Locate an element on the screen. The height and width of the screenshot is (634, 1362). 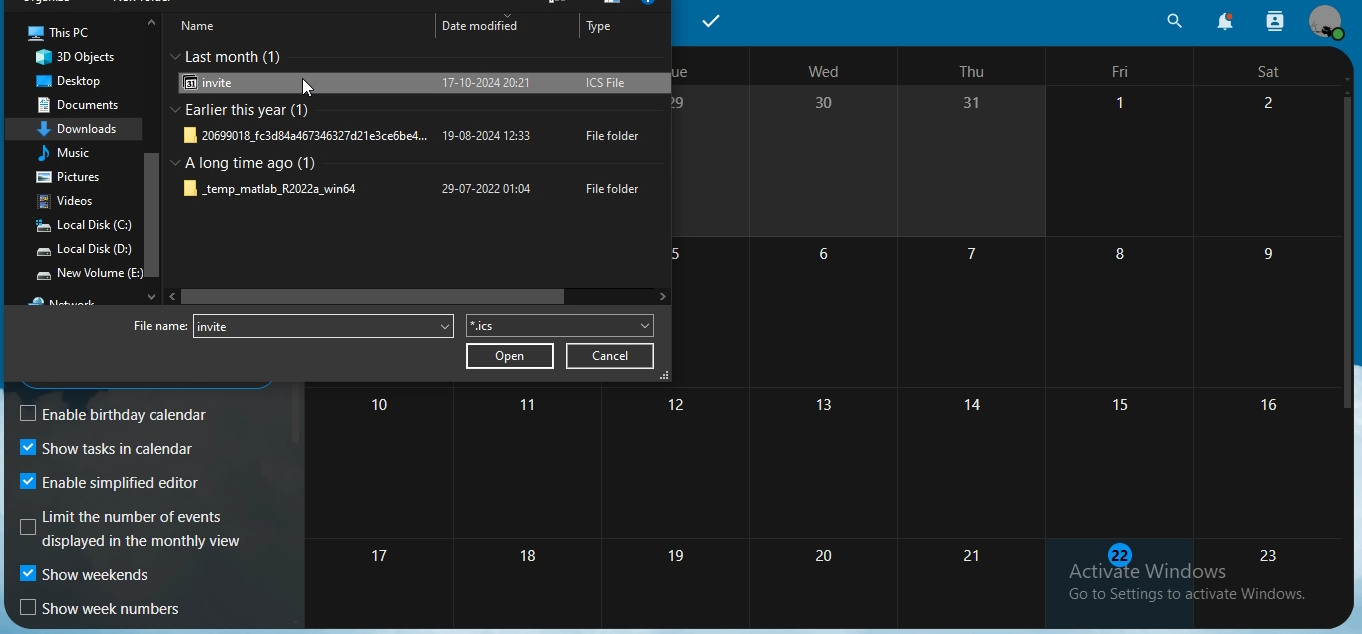
file folder is located at coordinates (415, 137).